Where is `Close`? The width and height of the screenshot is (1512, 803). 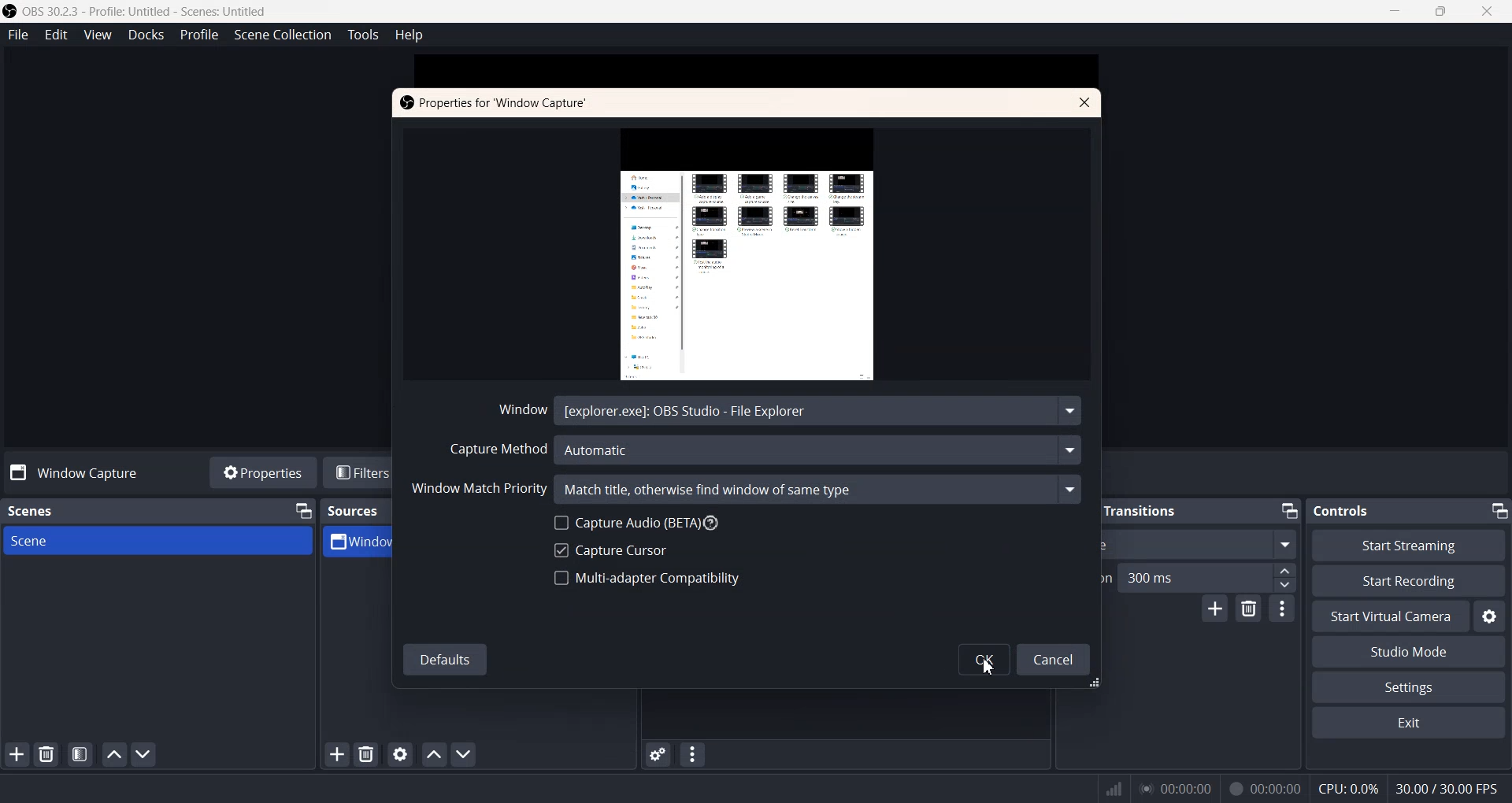 Close is located at coordinates (1083, 104).